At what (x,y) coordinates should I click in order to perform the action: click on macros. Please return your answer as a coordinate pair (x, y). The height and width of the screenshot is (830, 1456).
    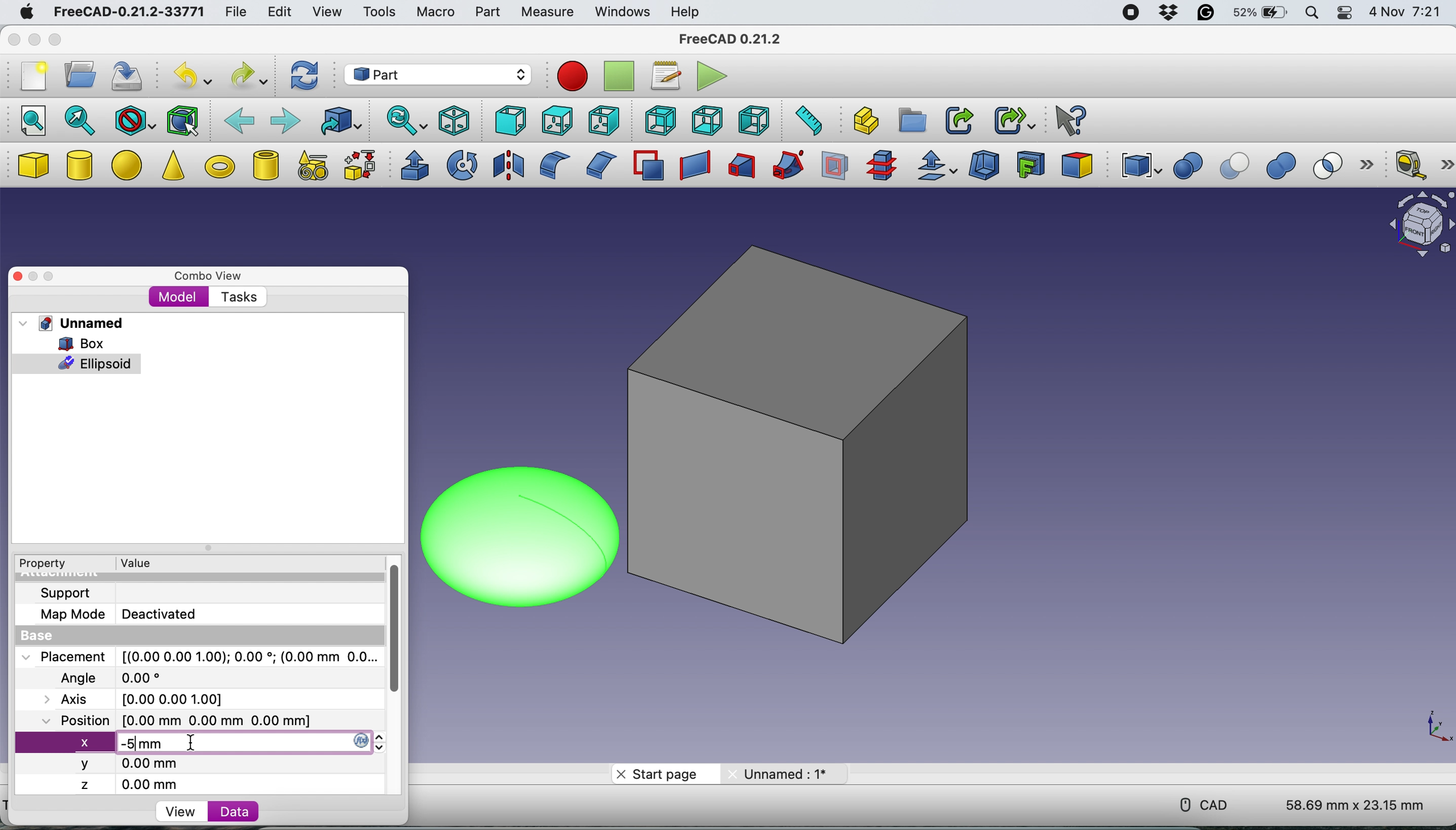
    Looking at the image, I should click on (663, 76).